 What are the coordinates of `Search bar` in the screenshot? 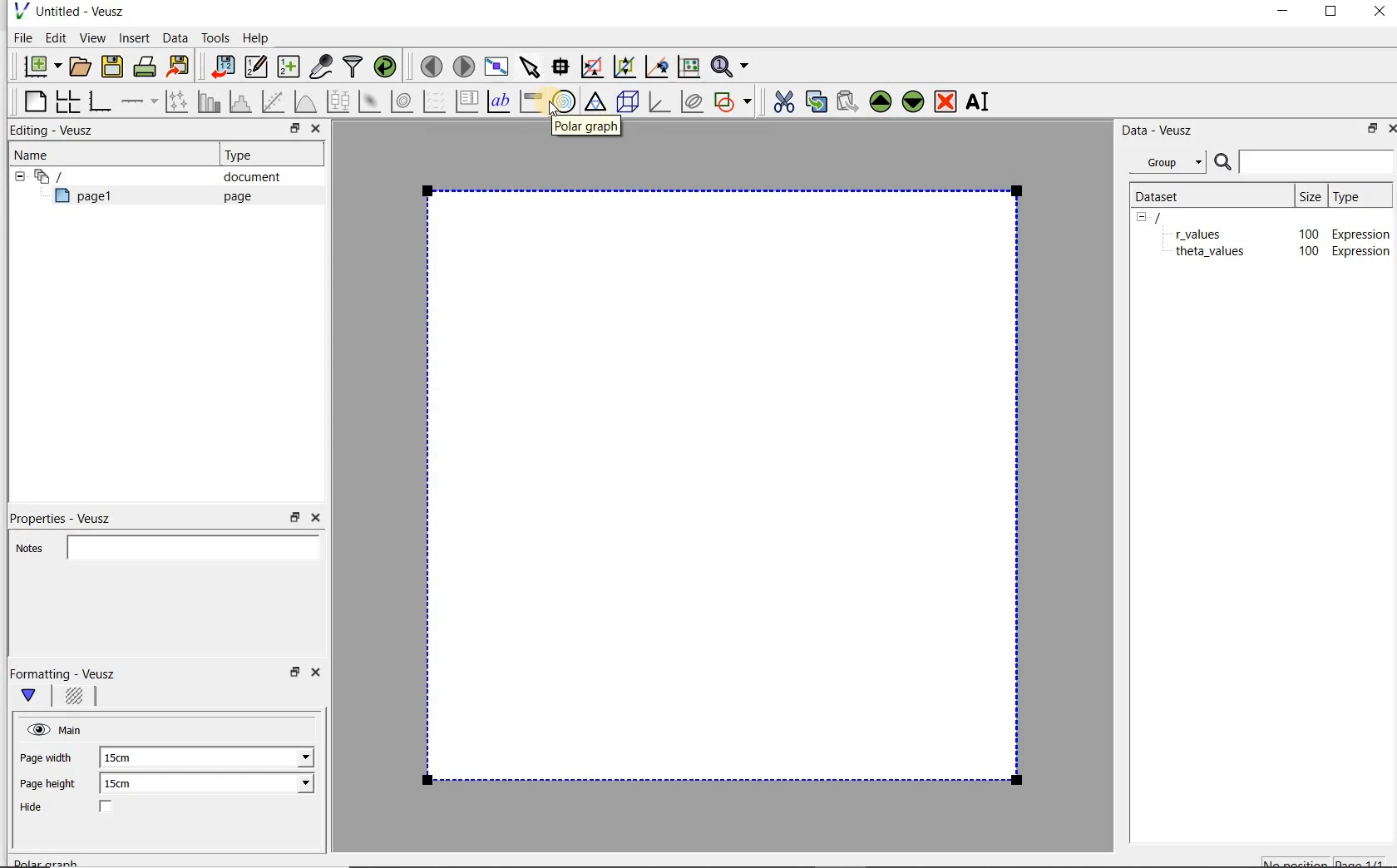 It's located at (1305, 160).